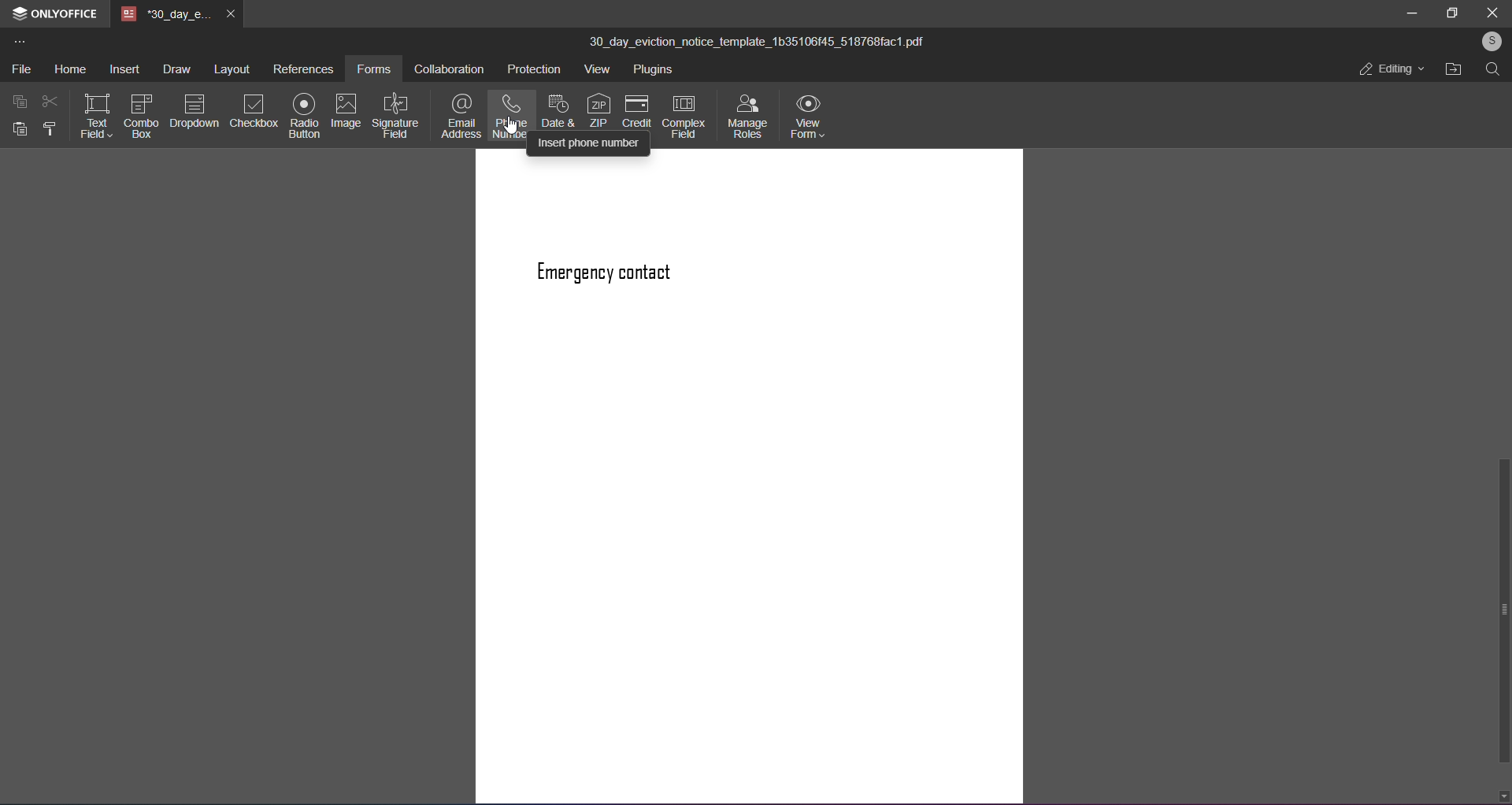 This screenshot has width=1512, height=805. Describe the element at coordinates (636, 107) in the screenshot. I see `credit` at that location.